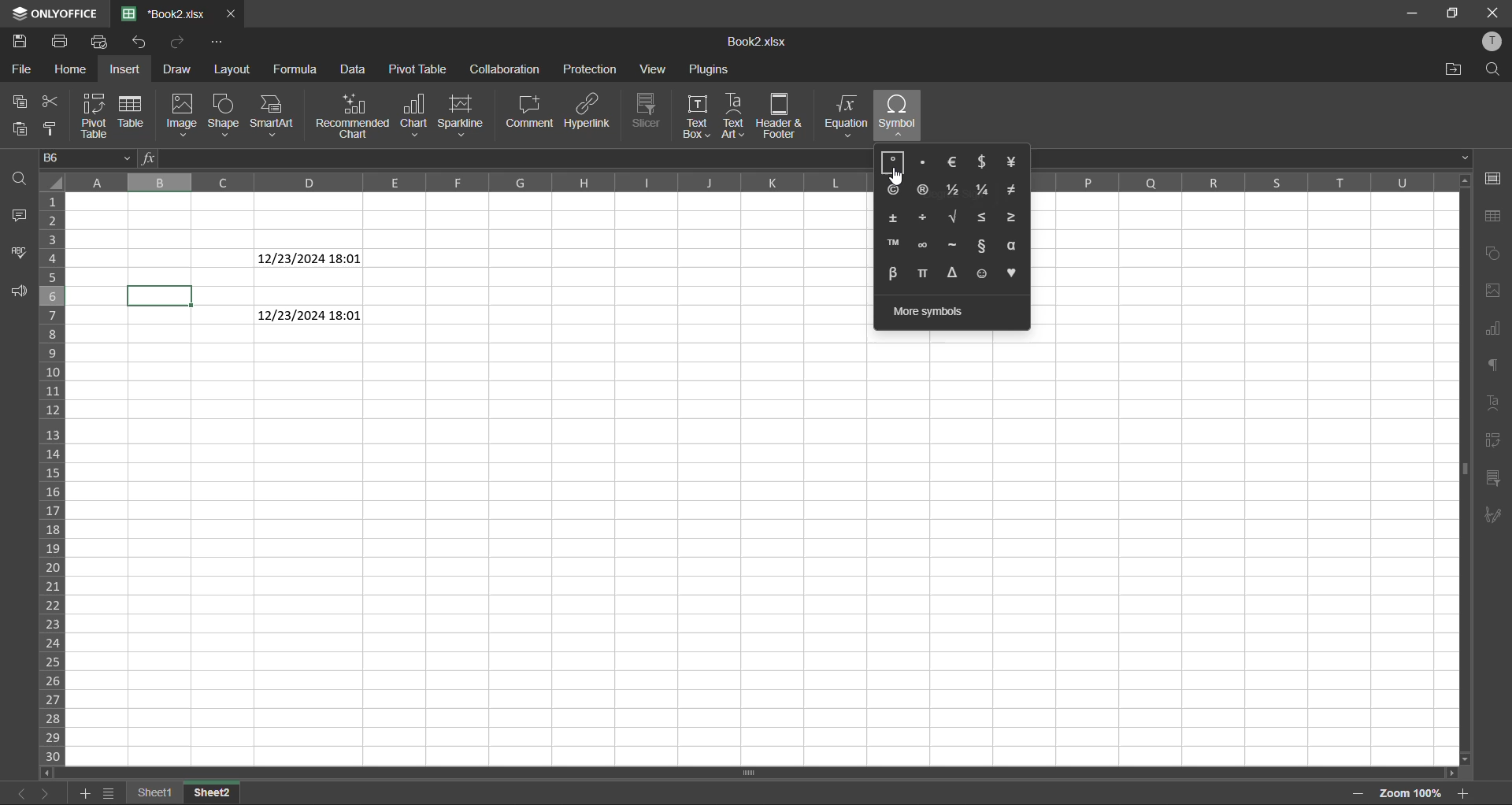 The image size is (1512, 805). I want to click on charts, so click(1495, 332).